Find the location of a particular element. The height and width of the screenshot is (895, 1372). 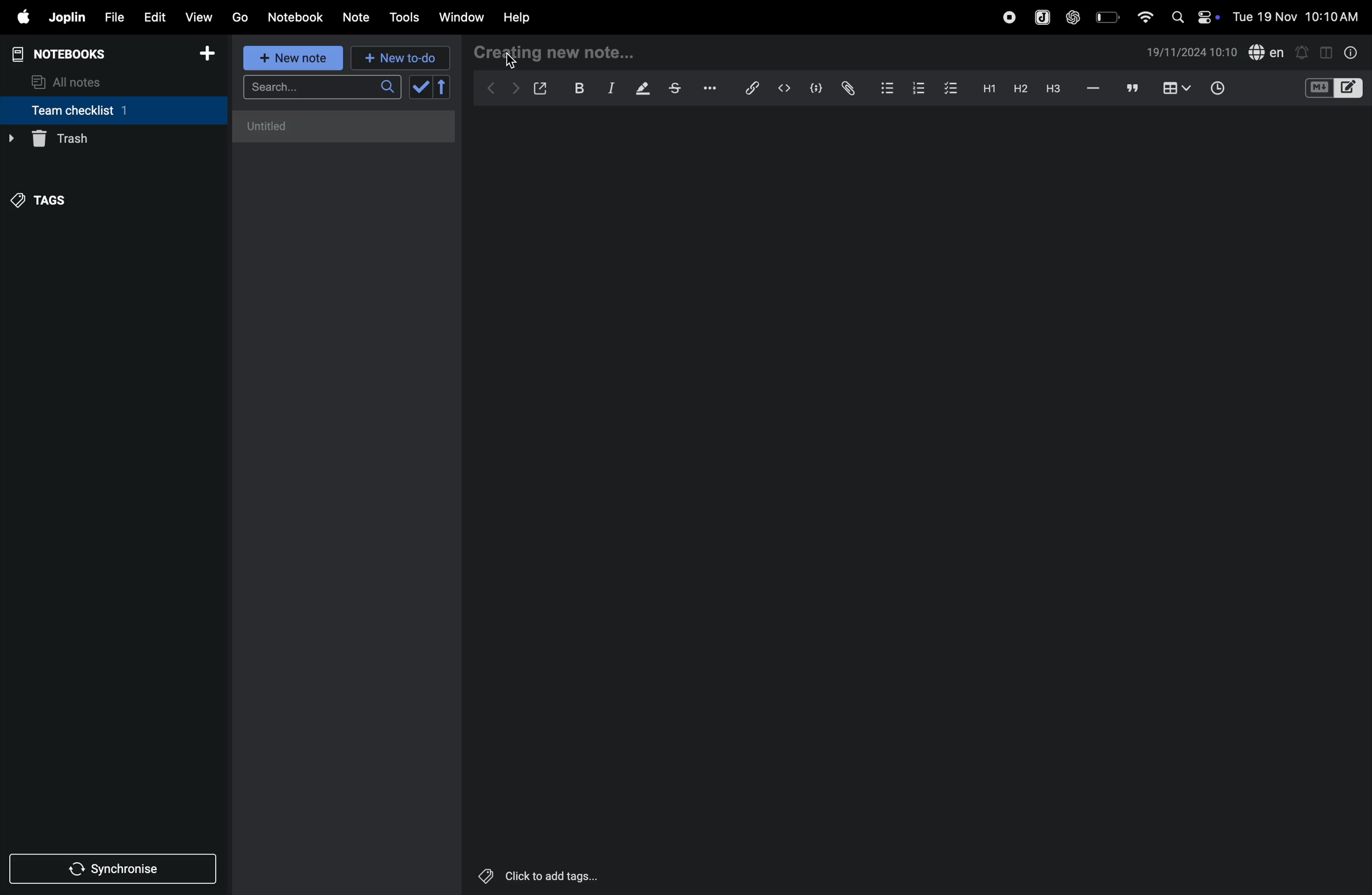

battery is located at coordinates (1106, 17).